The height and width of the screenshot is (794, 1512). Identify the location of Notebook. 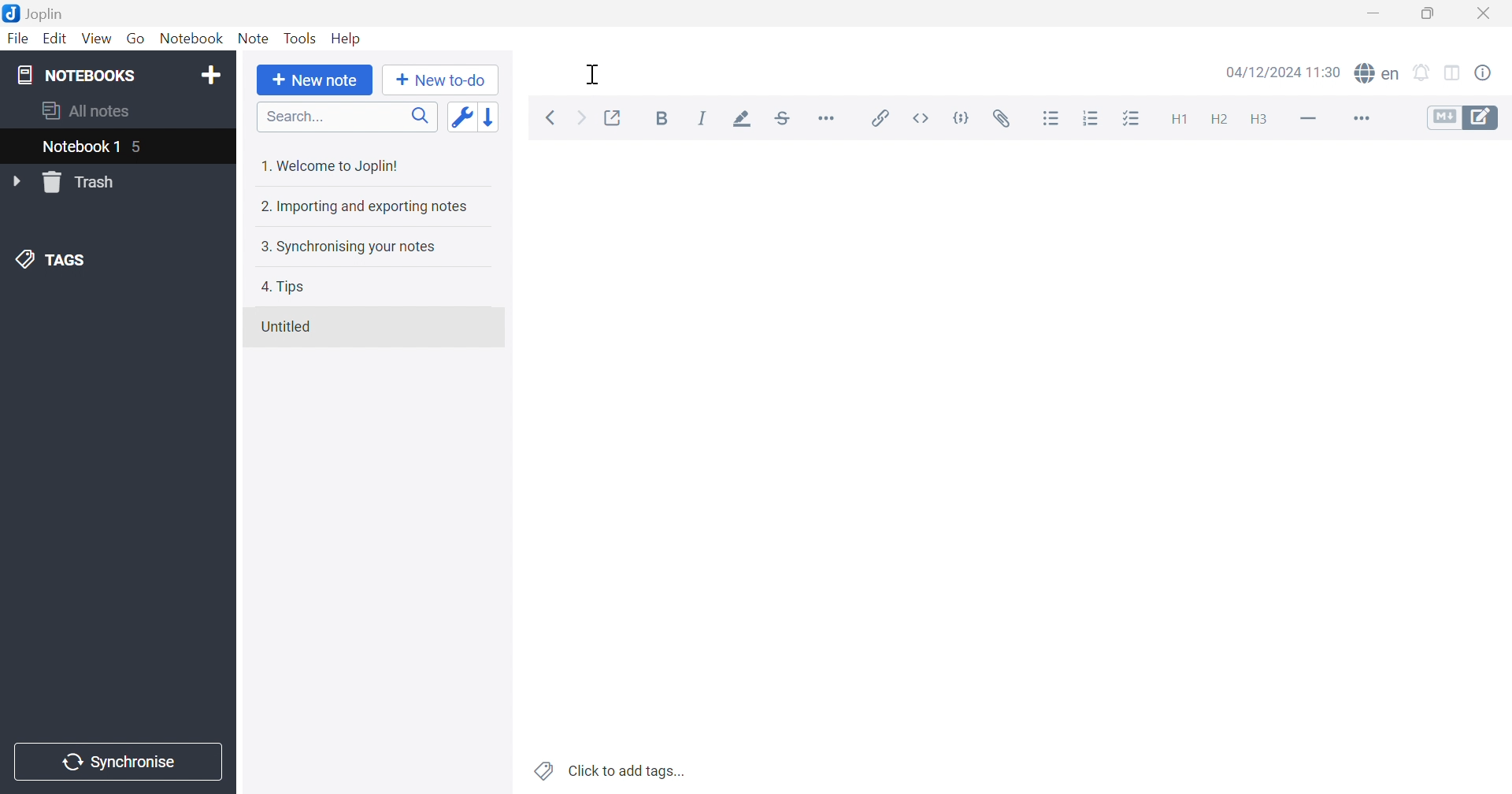
(191, 38).